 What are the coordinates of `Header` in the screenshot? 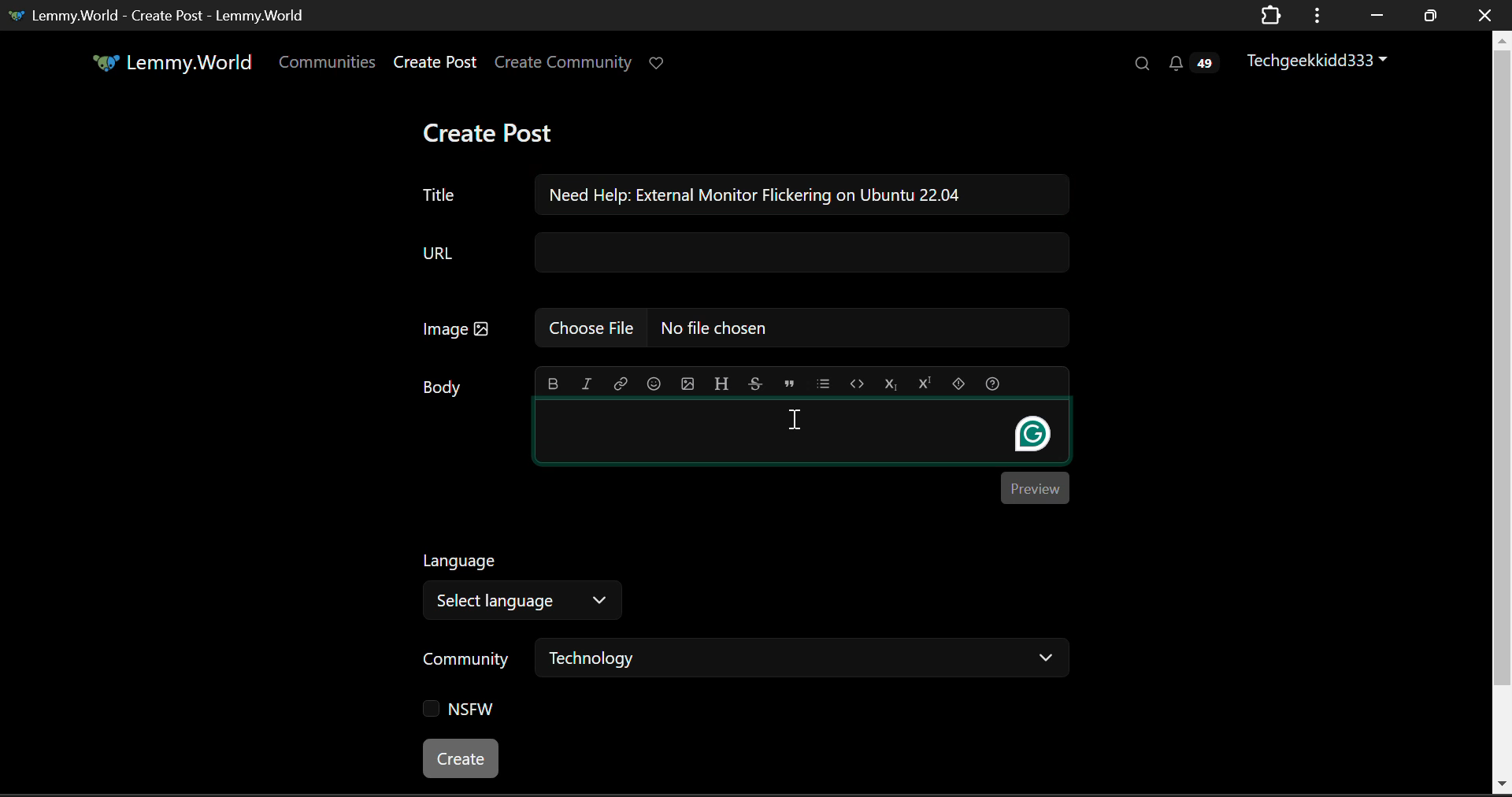 It's located at (721, 384).